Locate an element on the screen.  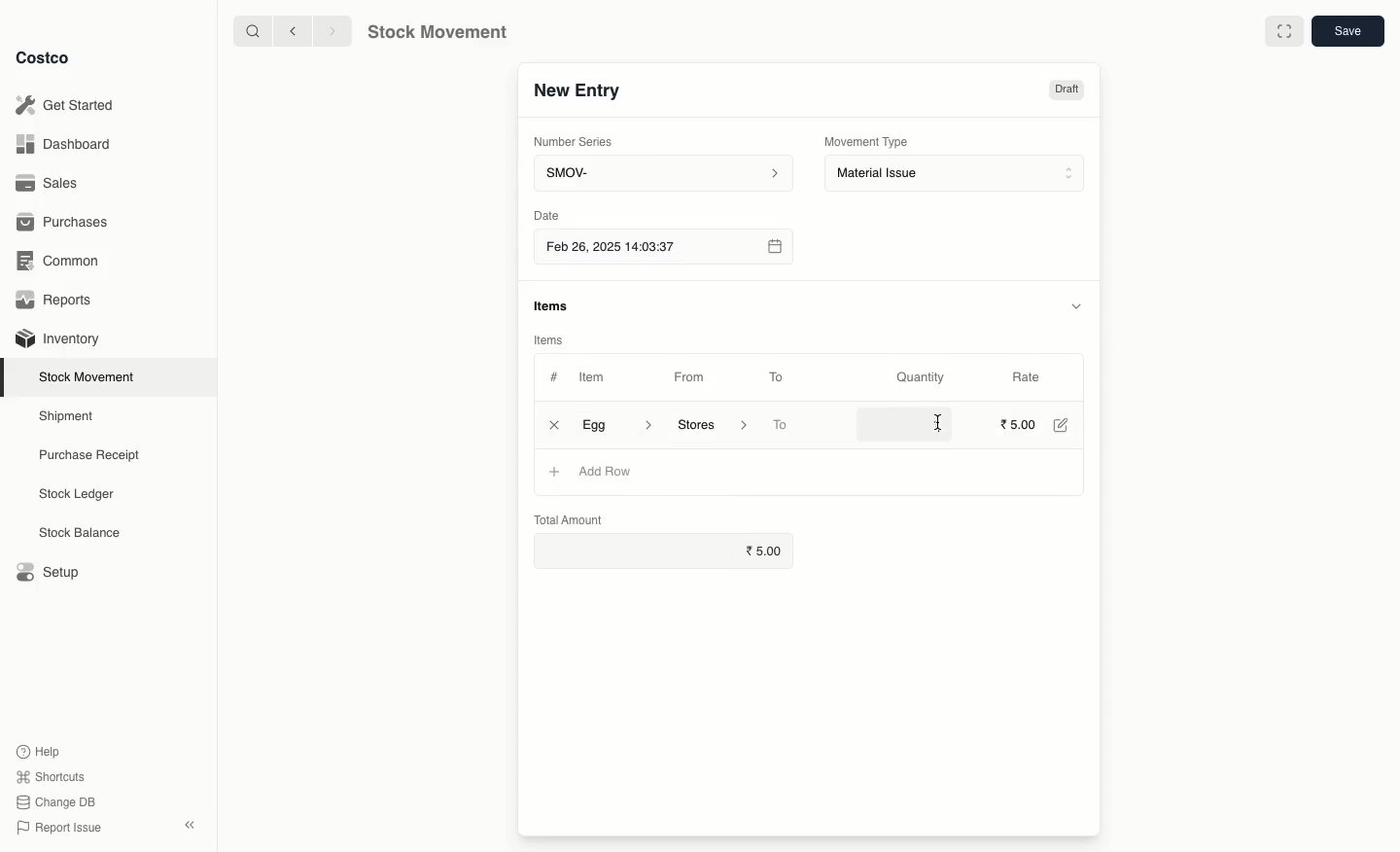
Reports is located at coordinates (58, 300).